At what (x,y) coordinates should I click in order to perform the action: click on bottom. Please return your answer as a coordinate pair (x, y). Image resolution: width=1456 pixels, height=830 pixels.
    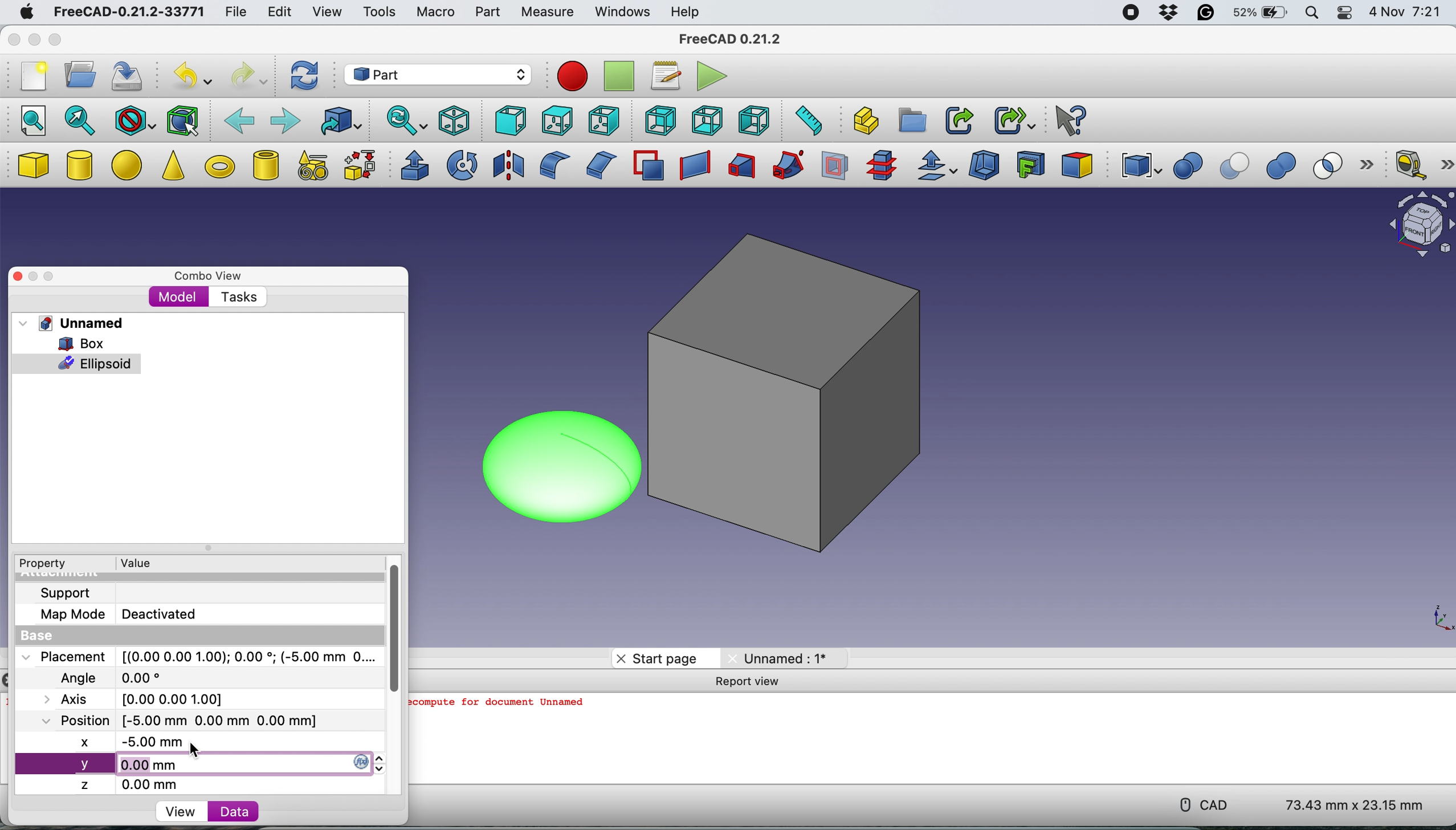
    Looking at the image, I should click on (708, 121).